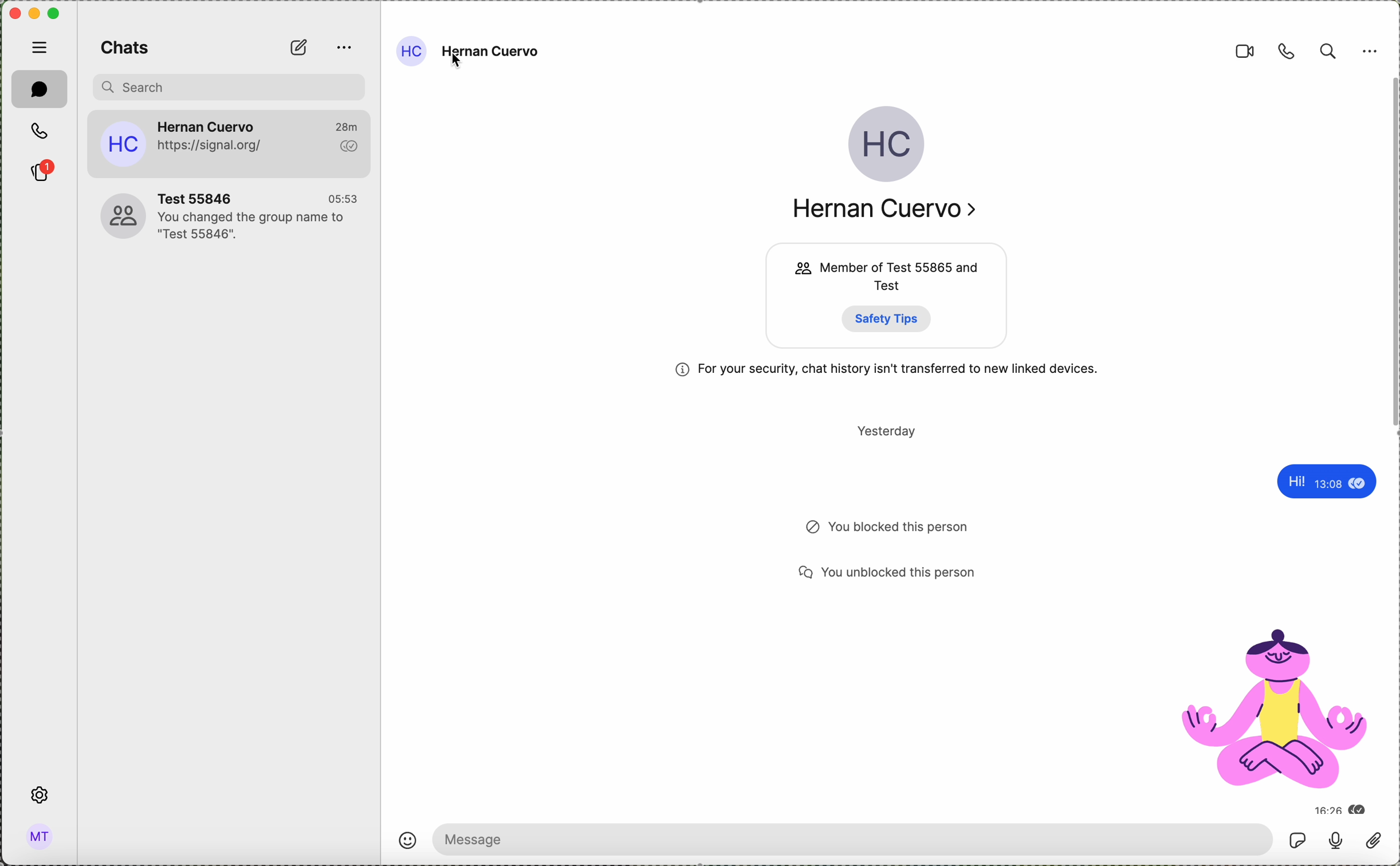 The width and height of the screenshot is (1400, 866). I want to click on cursor, so click(458, 62).